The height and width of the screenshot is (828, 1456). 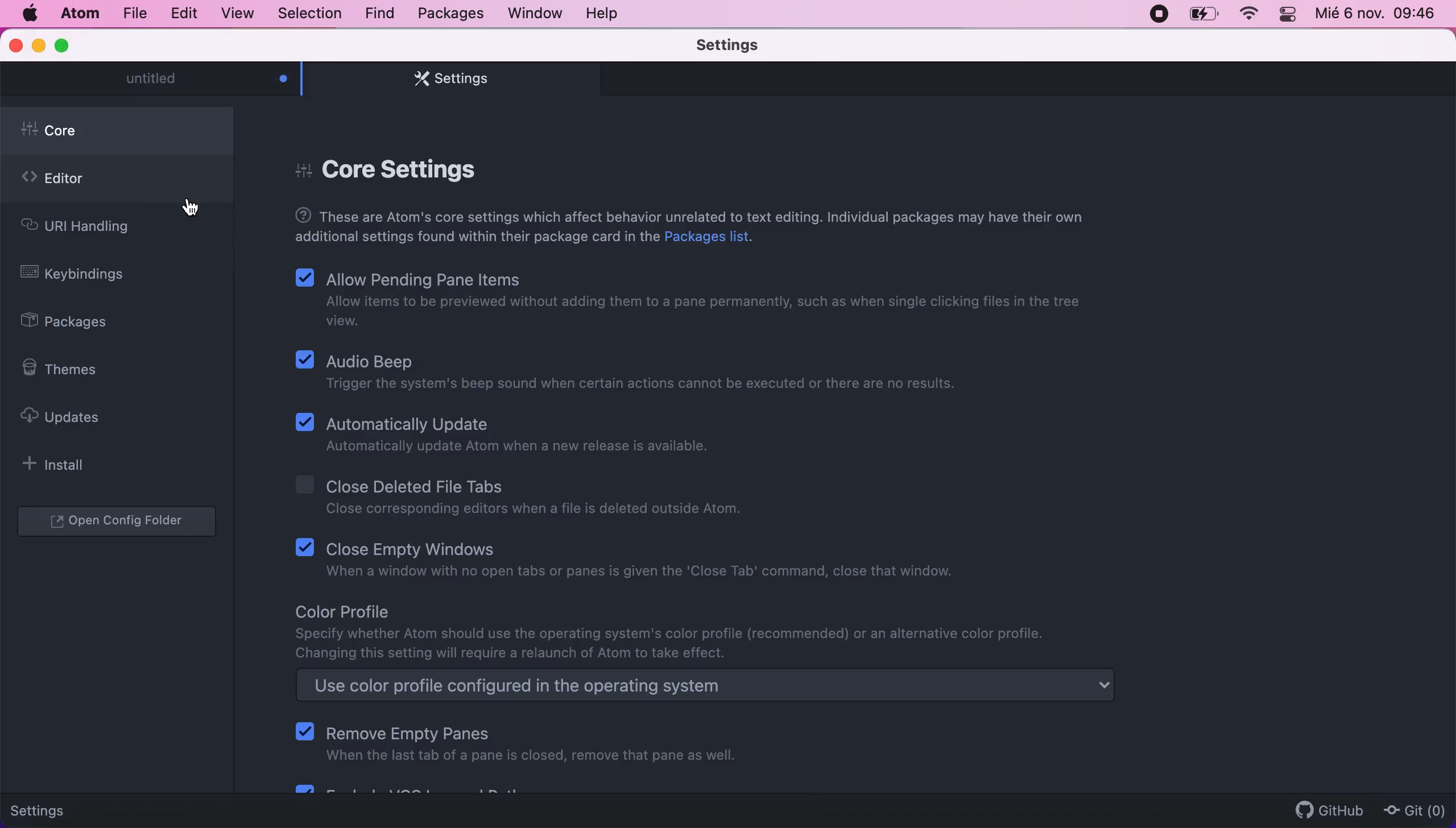 I want to click on recording stopped, so click(x=1156, y=14).